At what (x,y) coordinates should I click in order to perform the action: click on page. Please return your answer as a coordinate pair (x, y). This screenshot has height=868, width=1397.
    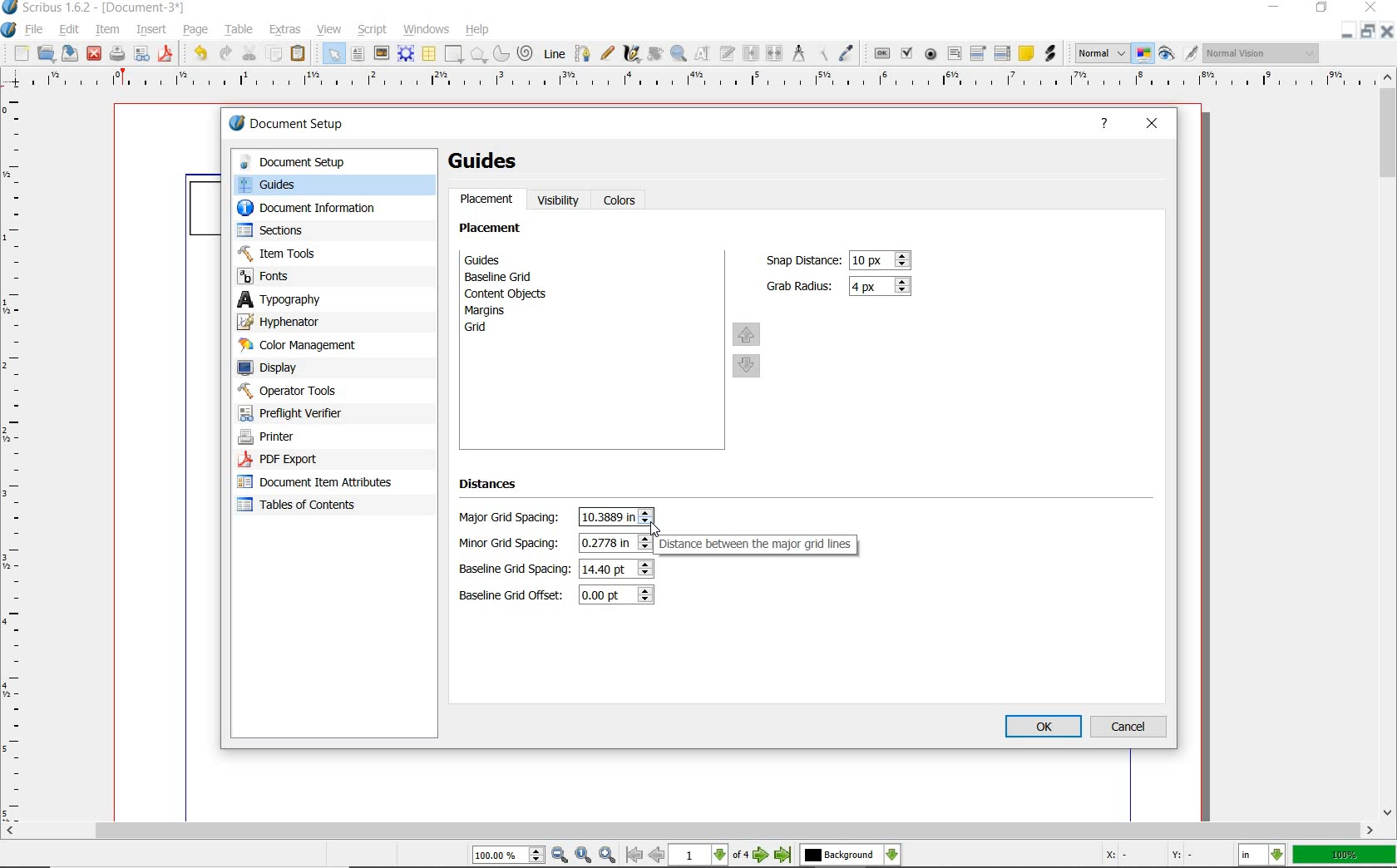
    Looking at the image, I should click on (195, 31).